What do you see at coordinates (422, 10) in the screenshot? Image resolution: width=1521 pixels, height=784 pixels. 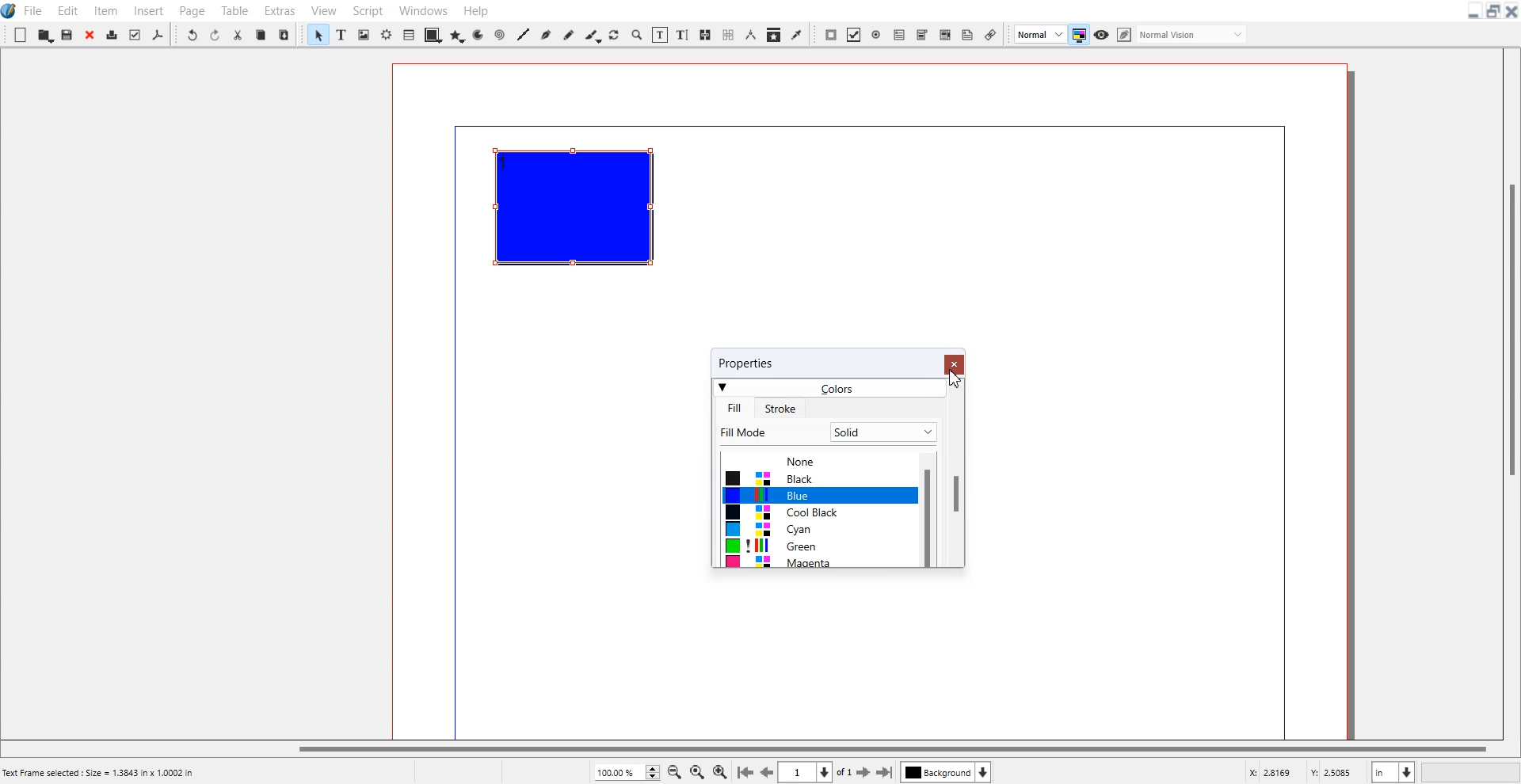 I see `Windows` at bounding box center [422, 10].